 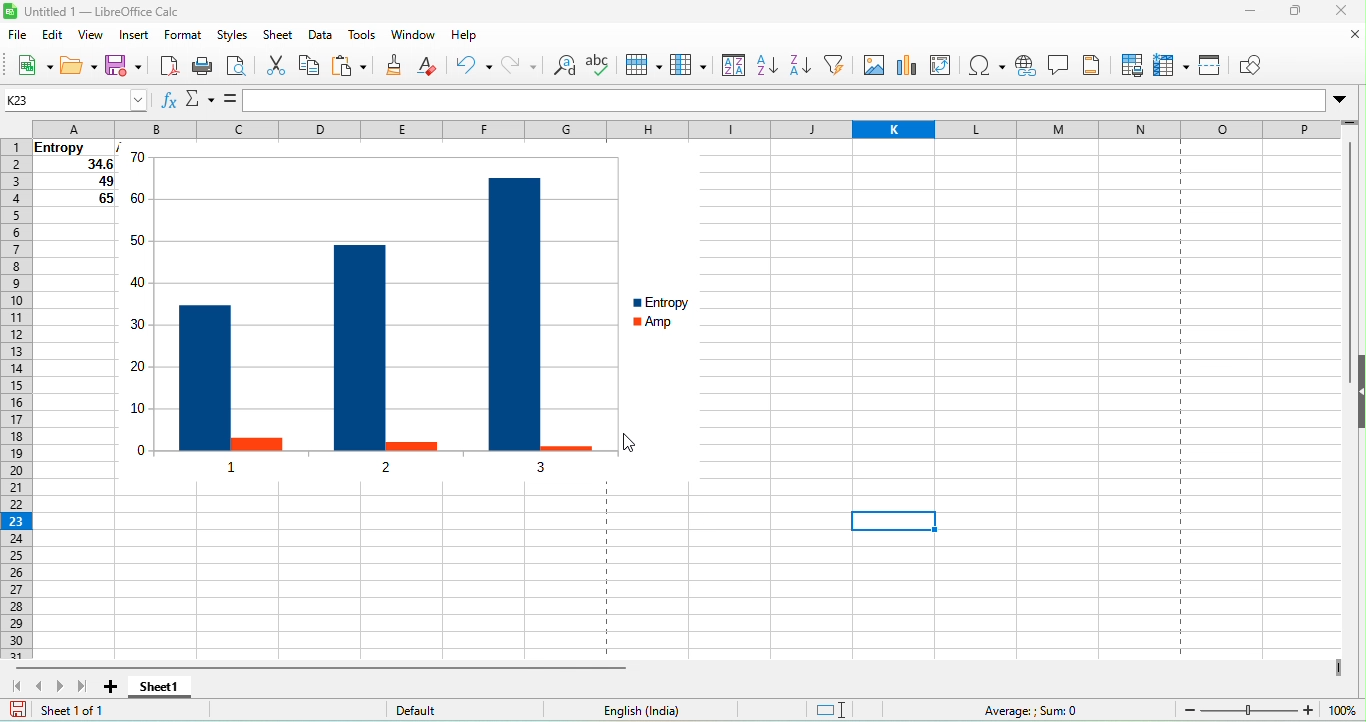 What do you see at coordinates (76, 183) in the screenshot?
I see `49` at bounding box center [76, 183].